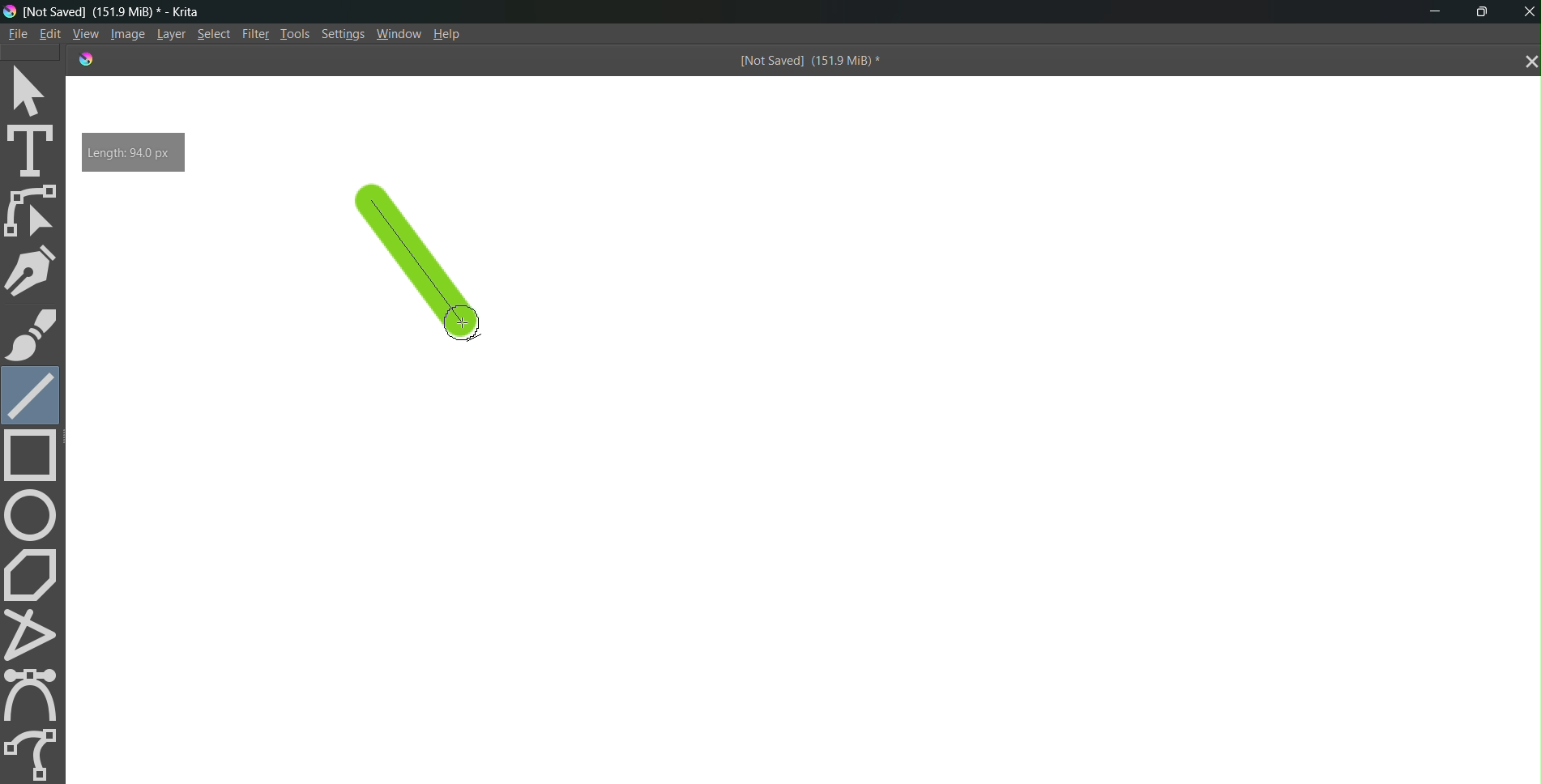 This screenshot has width=1541, height=784. What do you see at coordinates (428, 275) in the screenshot?
I see `line` at bounding box center [428, 275].